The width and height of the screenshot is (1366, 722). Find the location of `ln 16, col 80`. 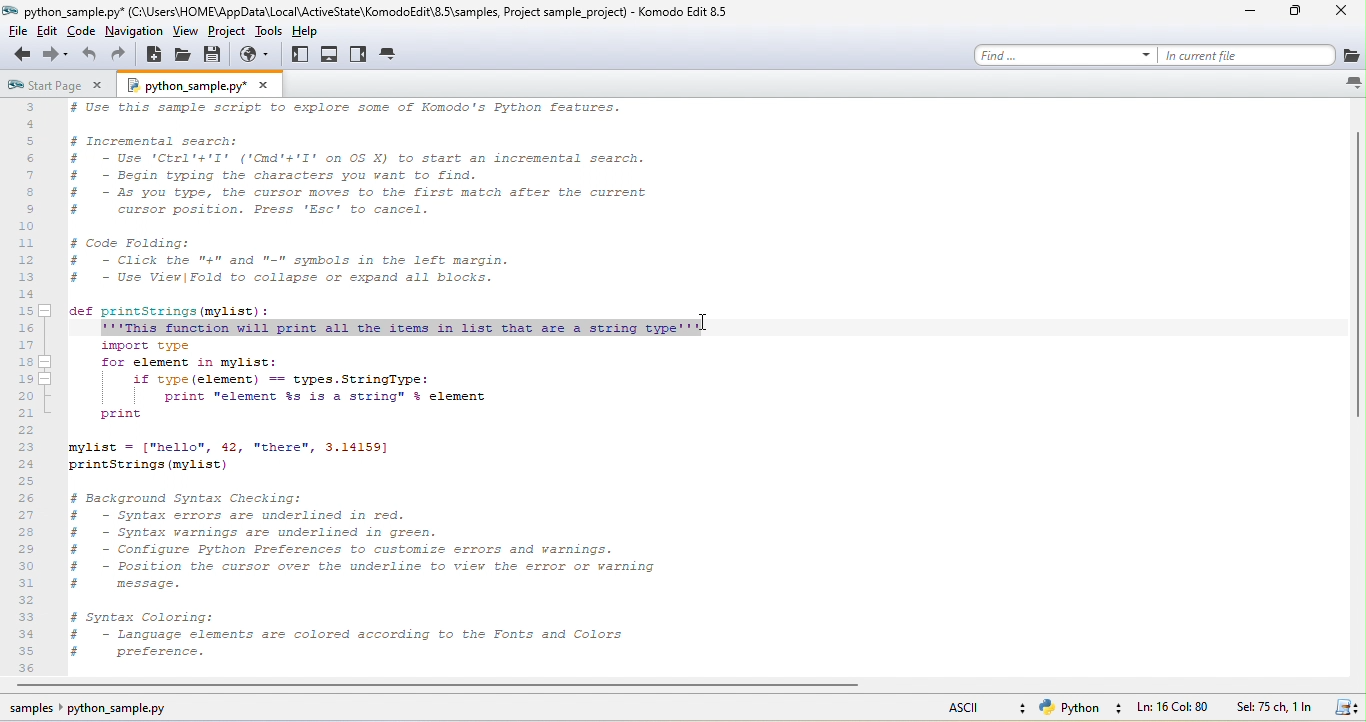

ln 16, col 80 is located at coordinates (1175, 708).